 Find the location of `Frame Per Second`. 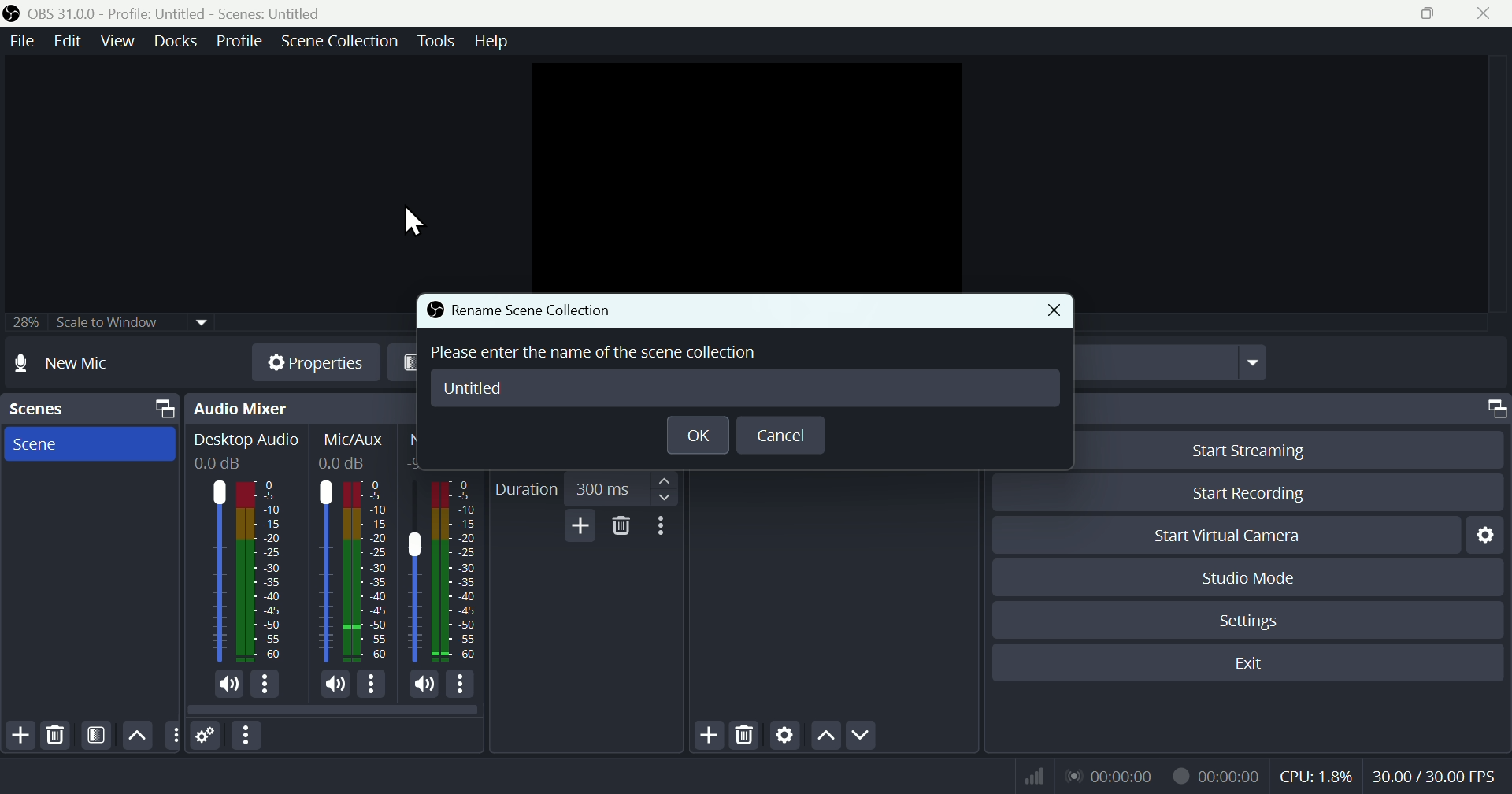

Frame Per Second is located at coordinates (1435, 777).